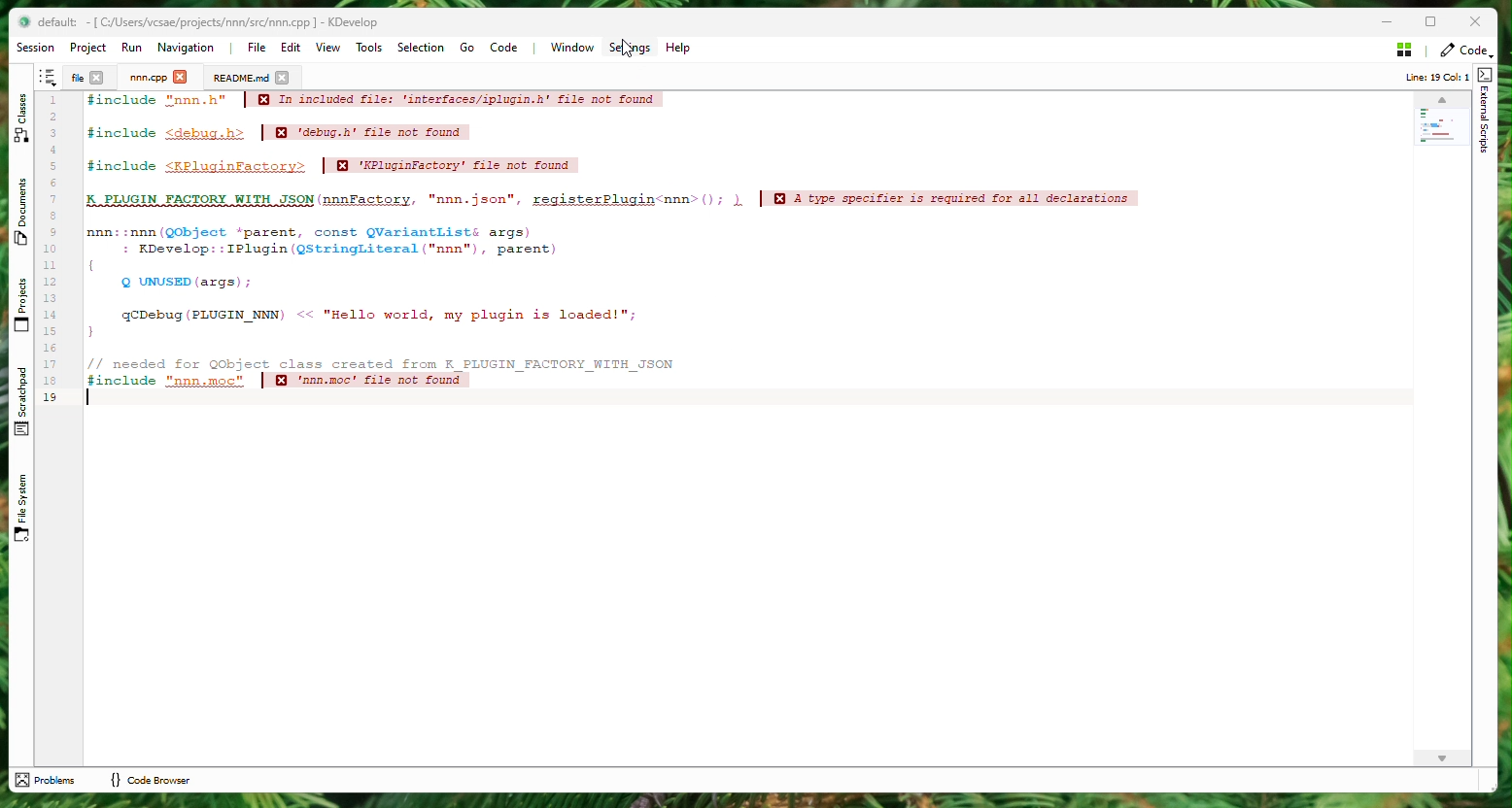  What do you see at coordinates (52, 166) in the screenshot?
I see `5` at bounding box center [52, 166].